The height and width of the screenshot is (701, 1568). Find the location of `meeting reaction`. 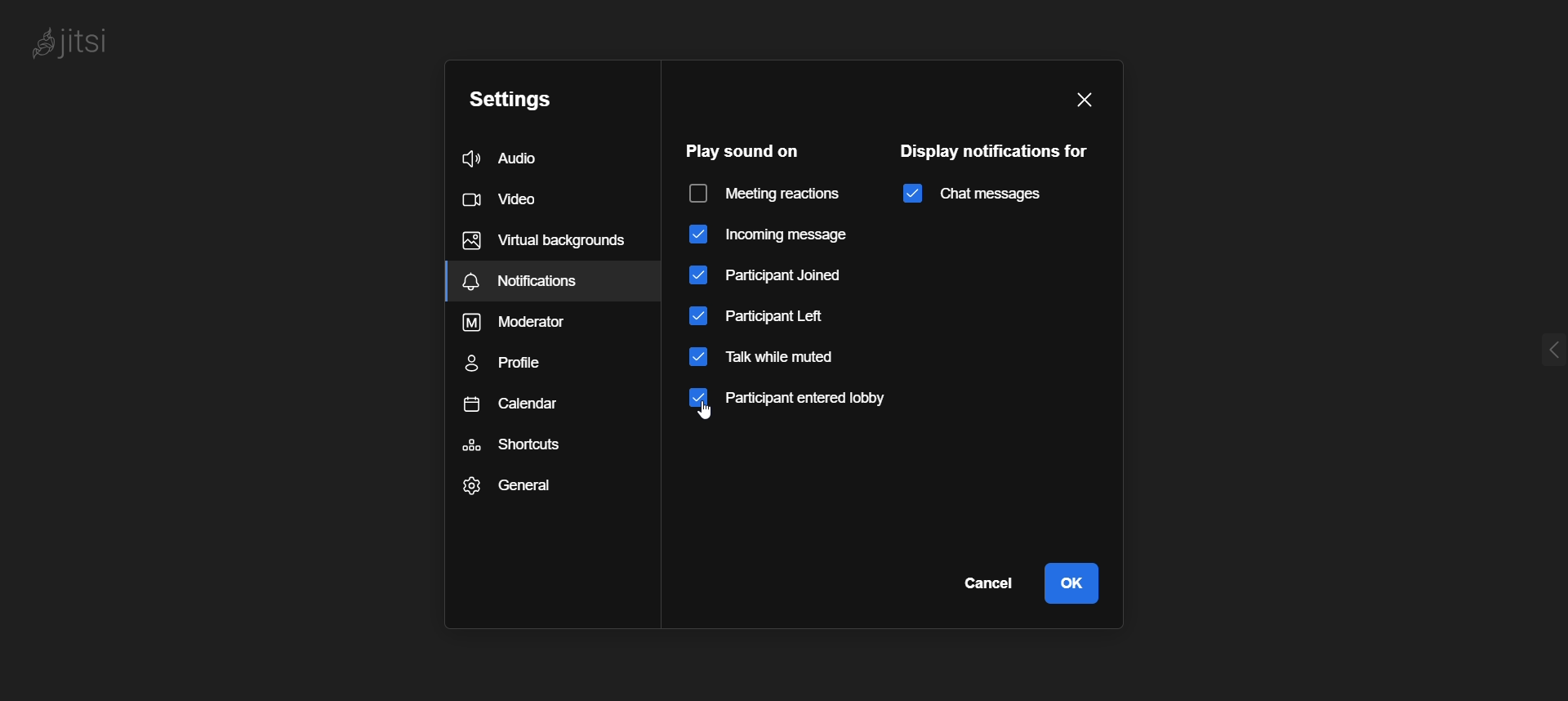

meeting reaction is located at coordinates (769, 194).